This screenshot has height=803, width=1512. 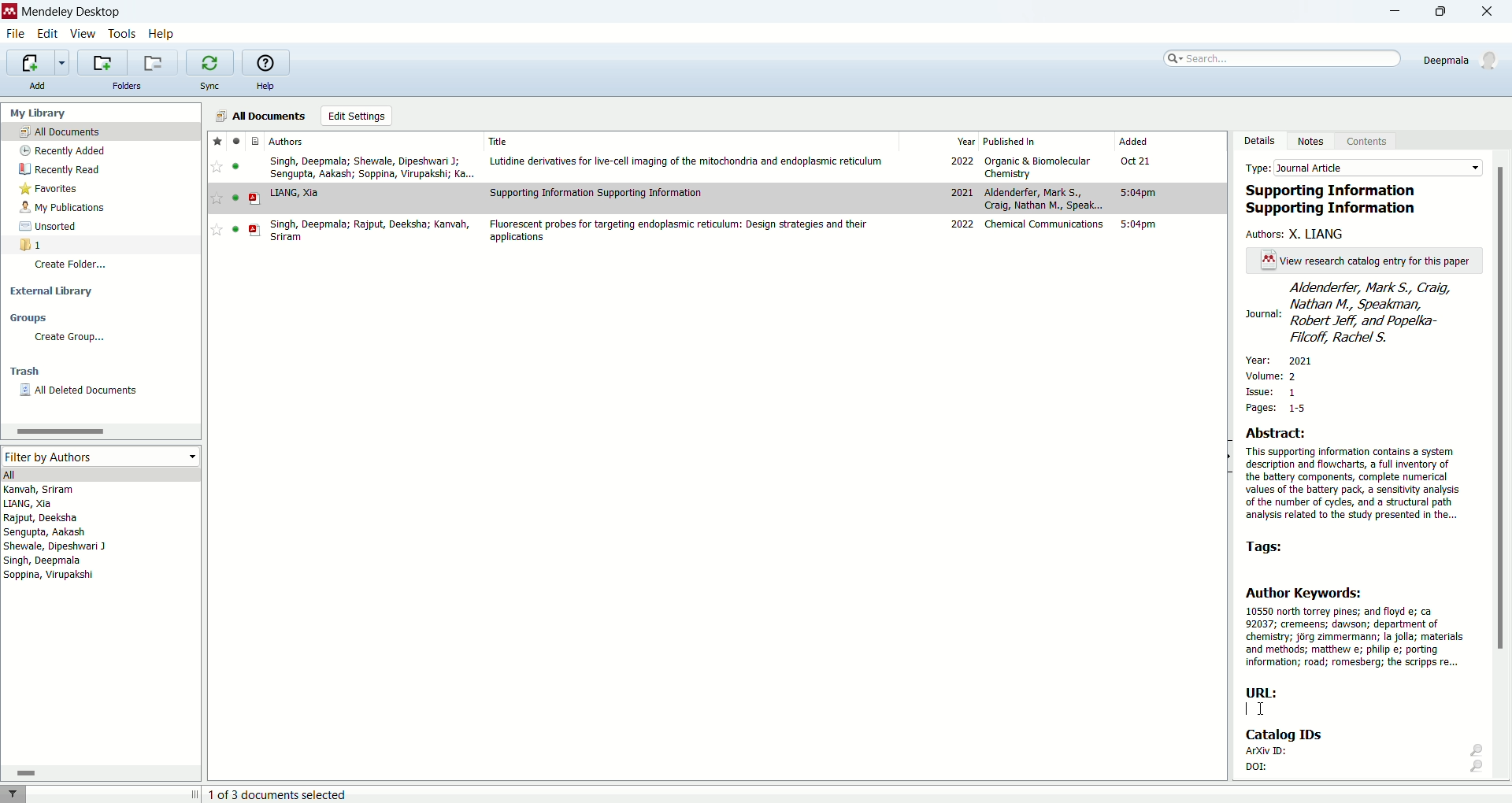 I want to click on add, so click(x=43, y=86).